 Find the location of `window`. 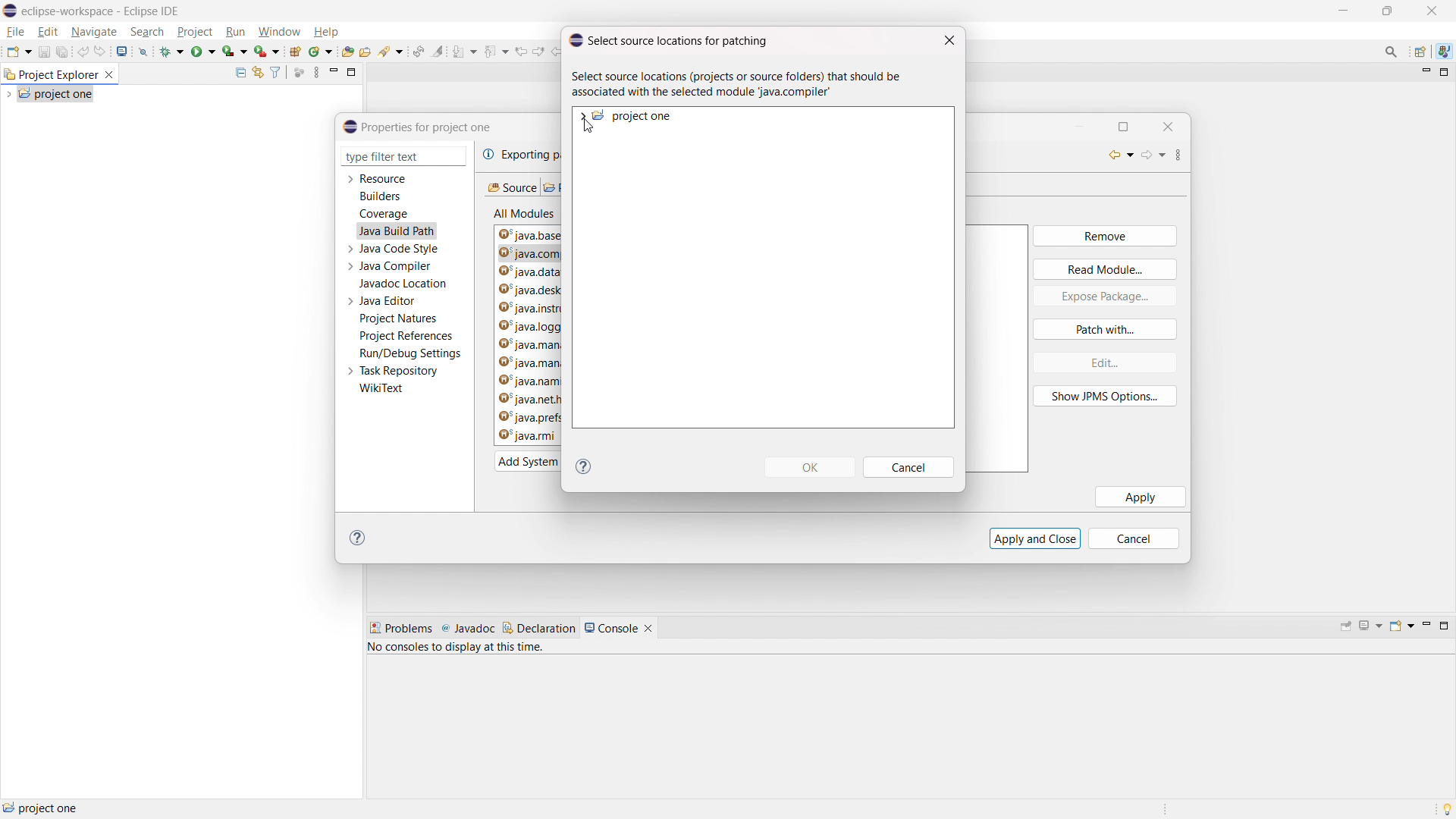

window is located at coordinates (278, 33).